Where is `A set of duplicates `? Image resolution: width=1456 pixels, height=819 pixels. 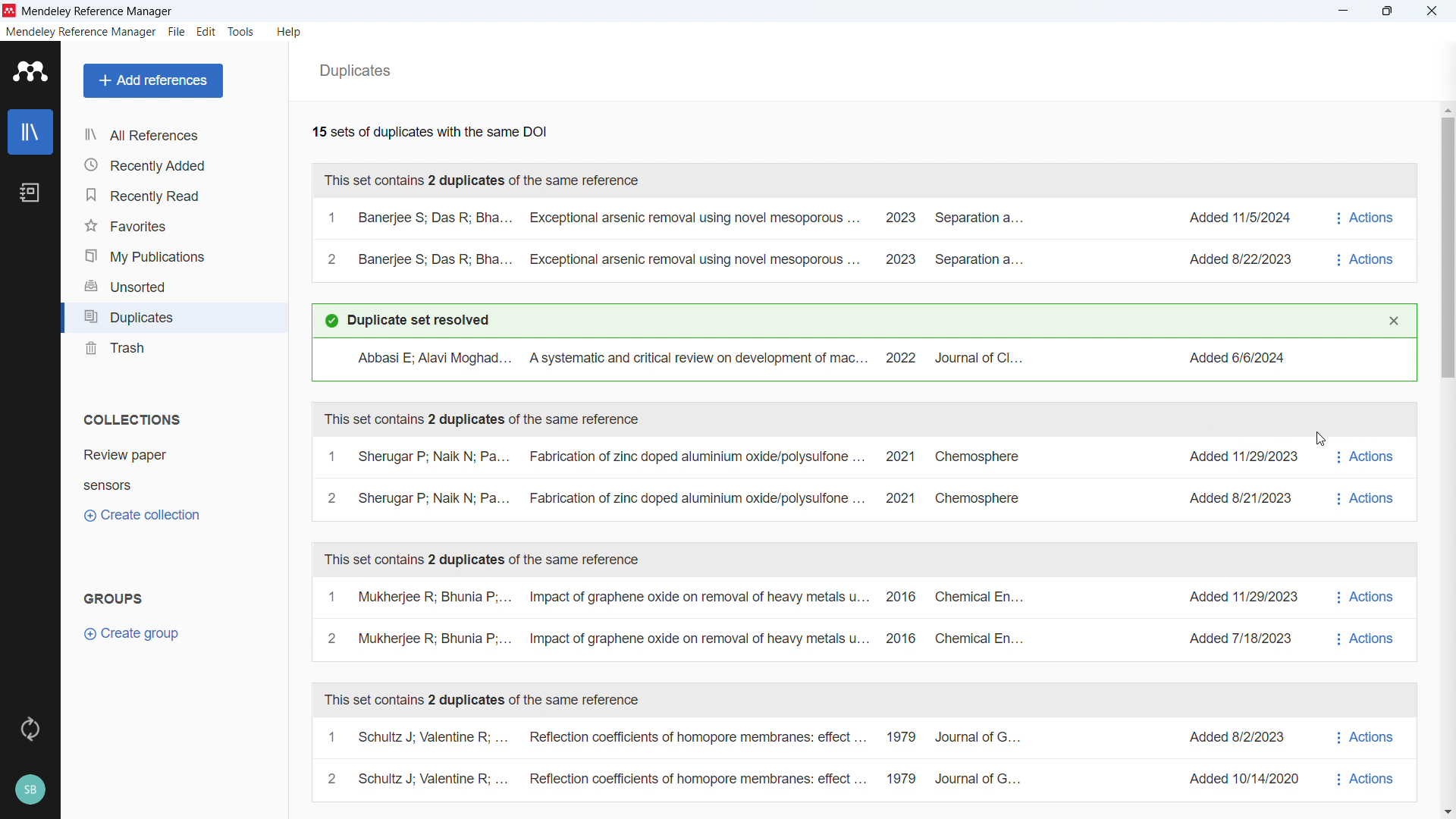
A set of duplicates  is located at coordinates (816, 241).